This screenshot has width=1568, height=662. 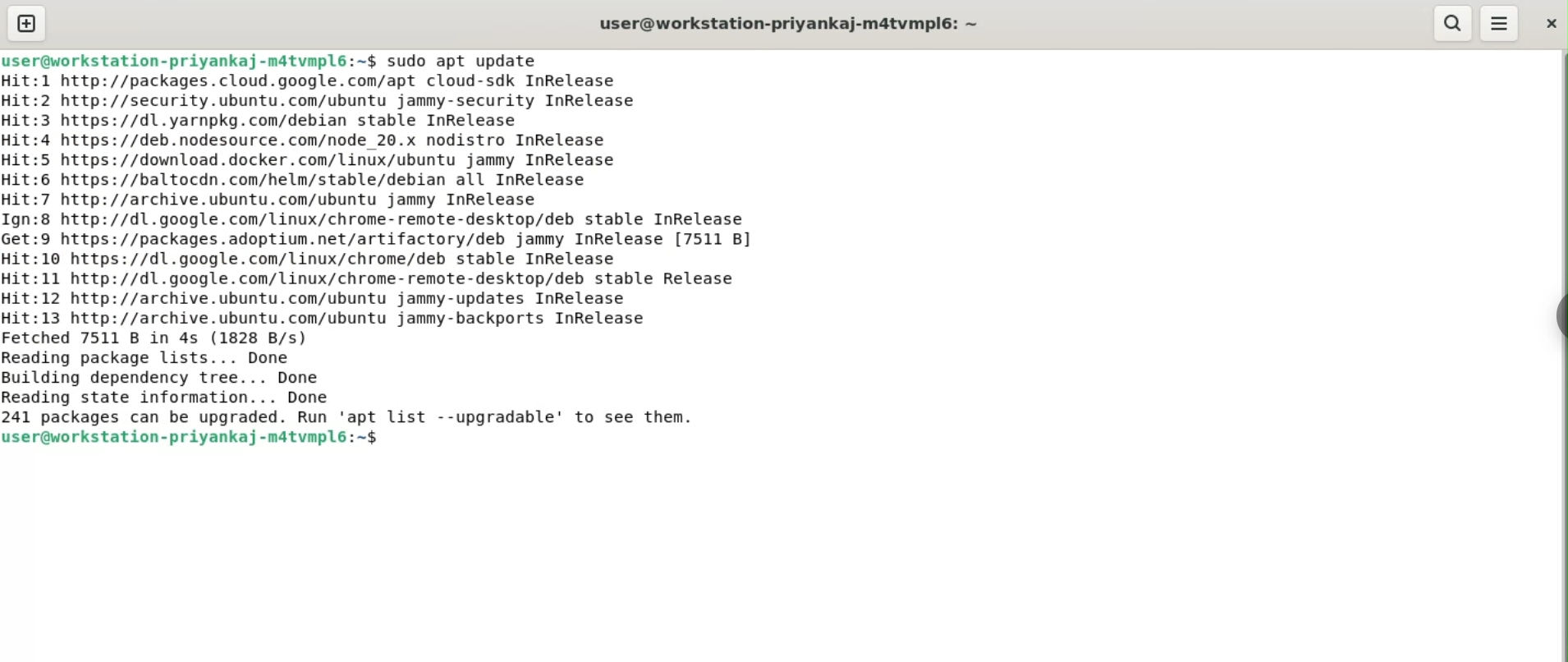 What do you see at coordinates (26, 23) in the screenshot?
I see `new tab` at bounding box center [26, 23].